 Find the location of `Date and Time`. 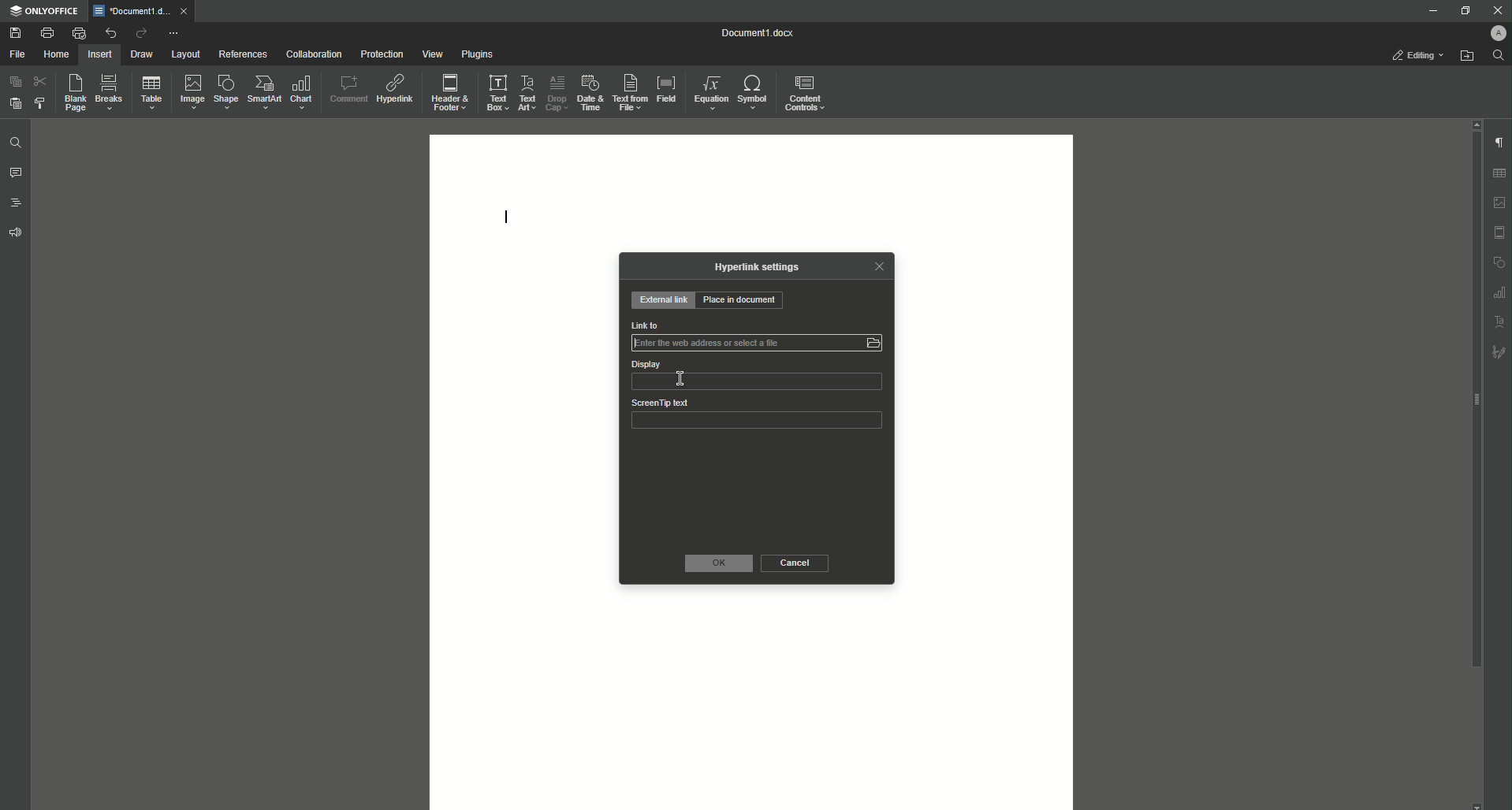

Date and Time is located at coordinates (590, 93).